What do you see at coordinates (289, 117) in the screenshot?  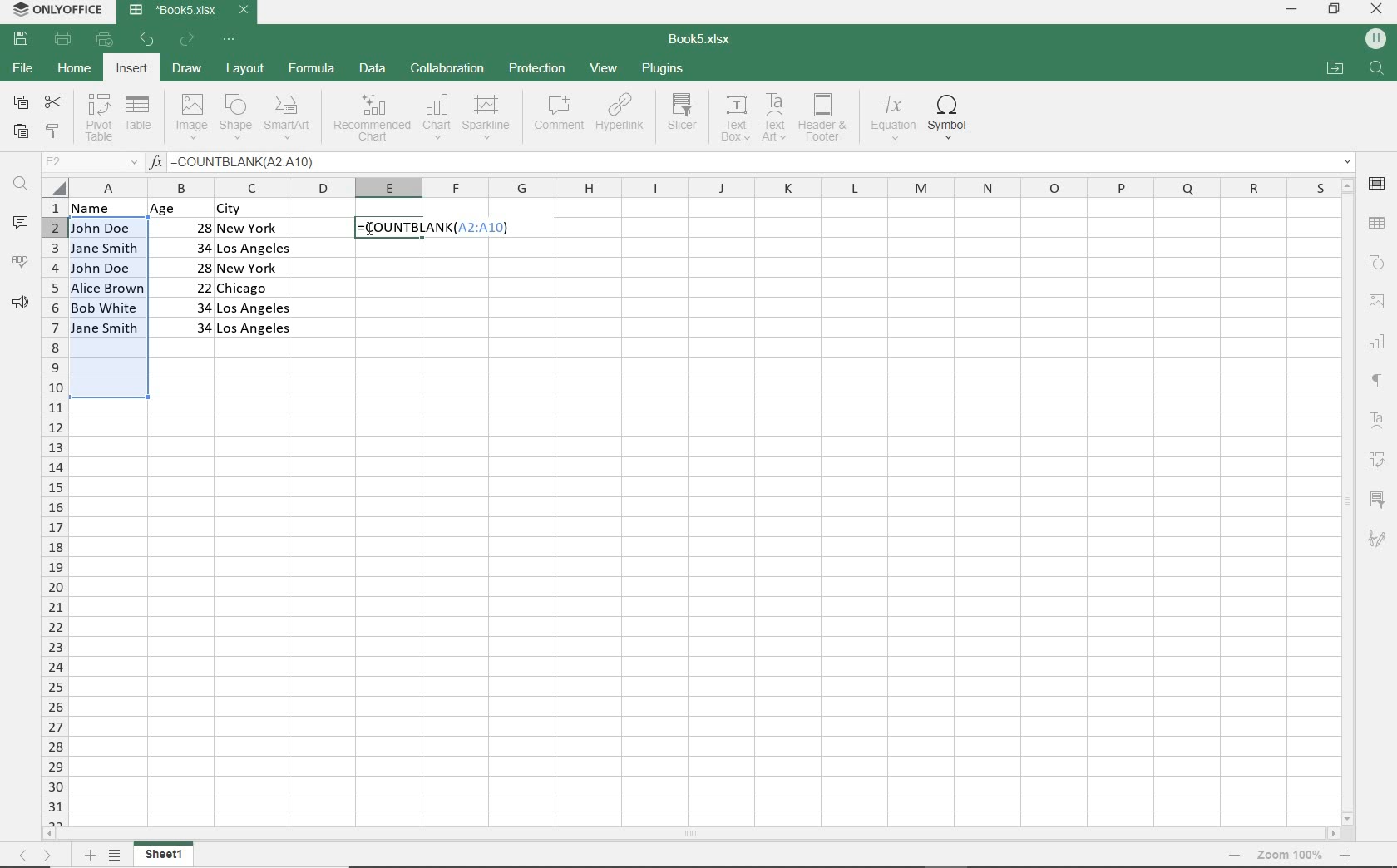 I see `SMARTART` at bounding box center [289, 117].